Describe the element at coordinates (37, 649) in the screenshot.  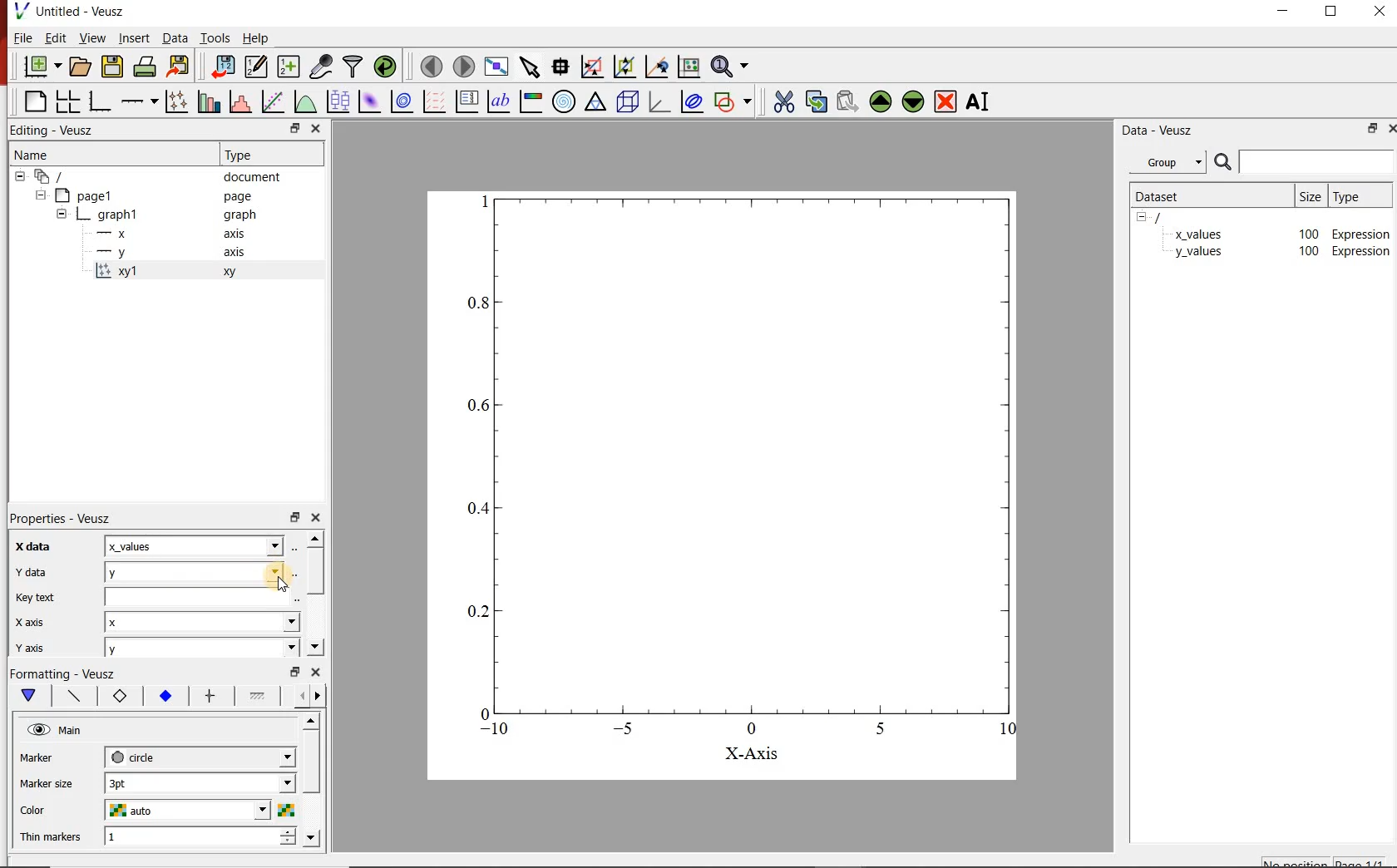
I see `| Y ais` at that location.